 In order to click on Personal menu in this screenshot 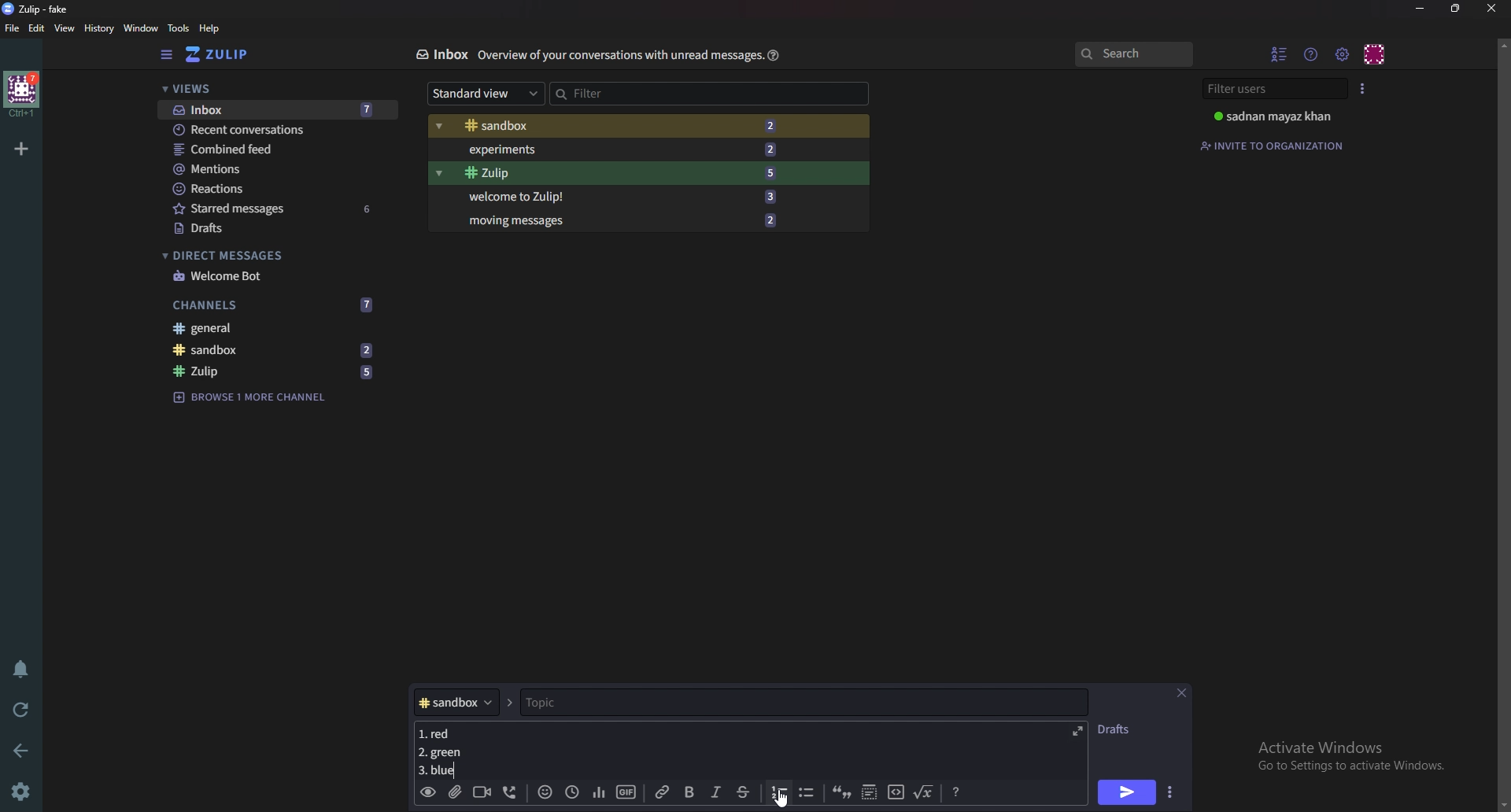, I will do `click(1376, 53)`.